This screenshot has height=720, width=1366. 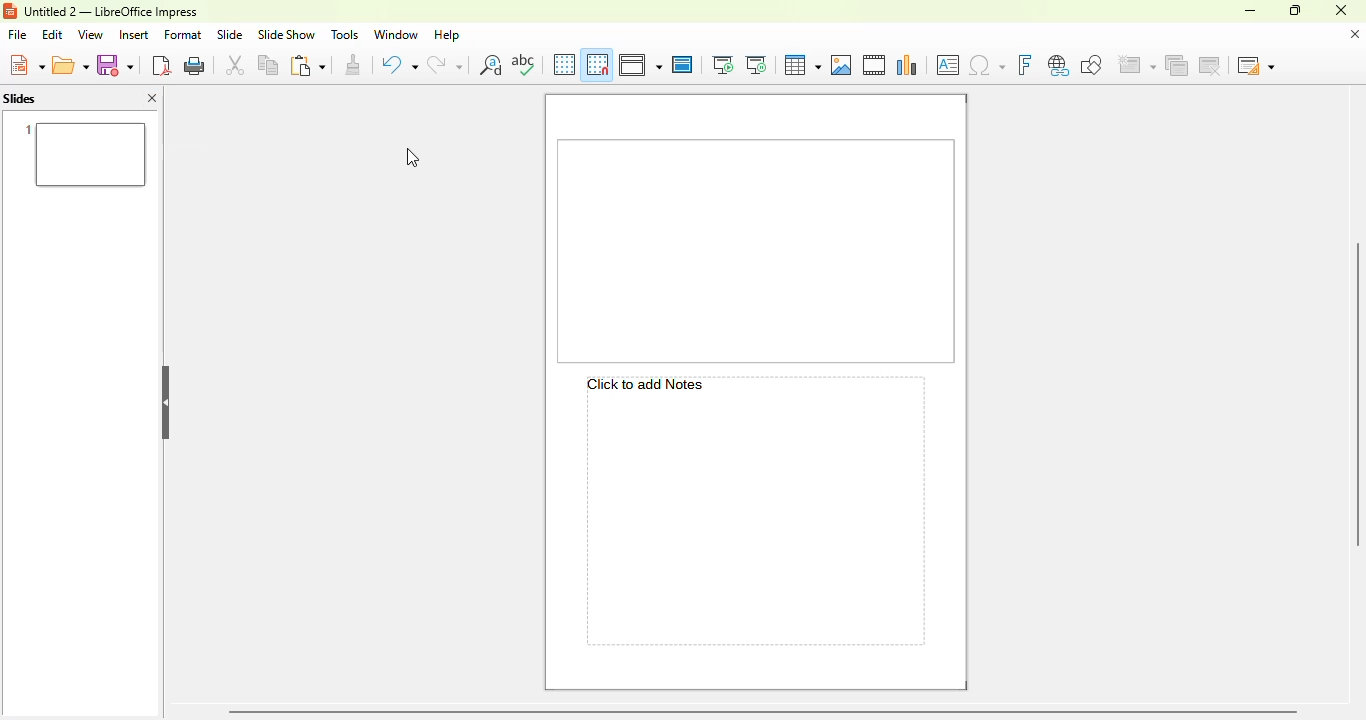 I want to click on slide, so click(x=230, y=34).